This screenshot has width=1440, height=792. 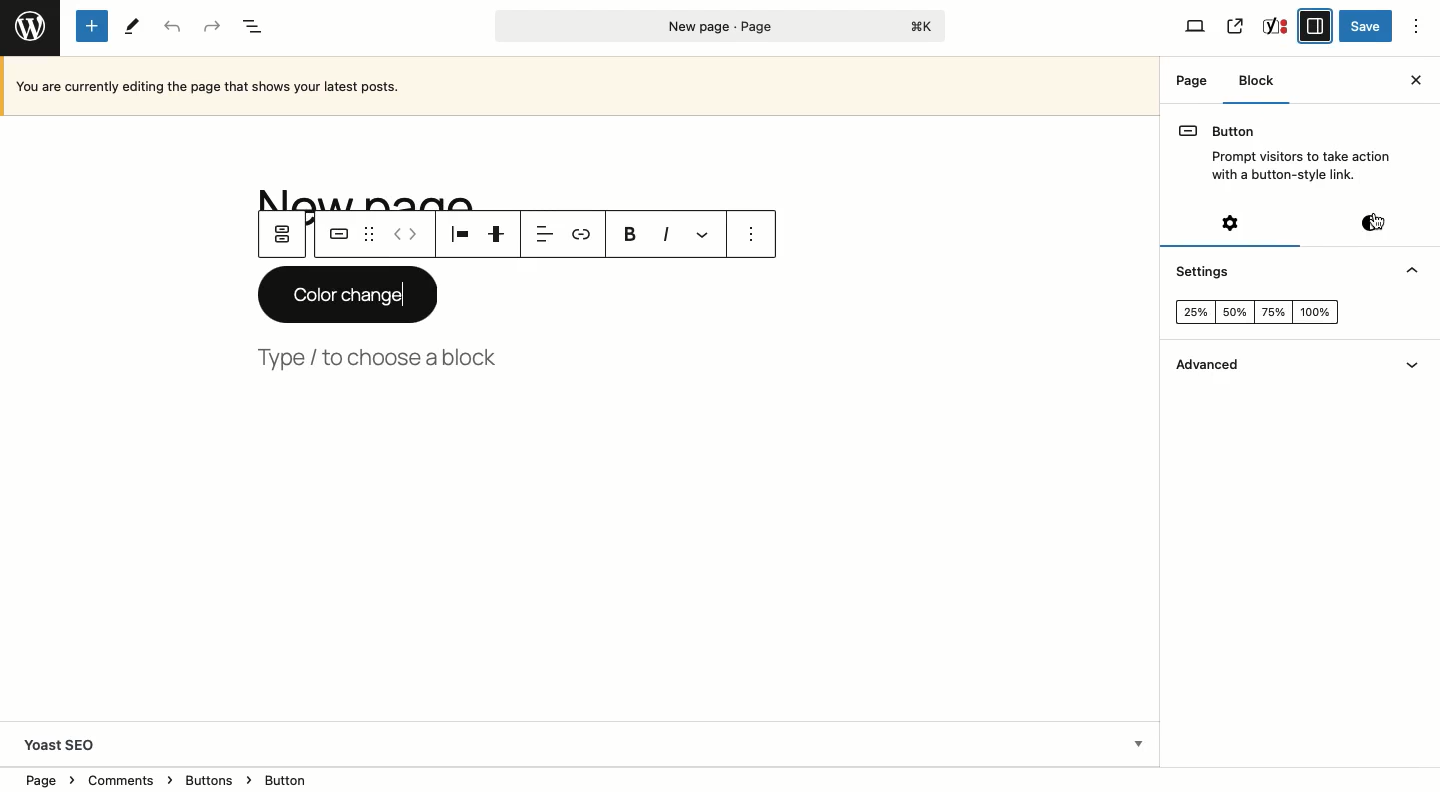 I want to click on Align, so click(x=457, y=234).